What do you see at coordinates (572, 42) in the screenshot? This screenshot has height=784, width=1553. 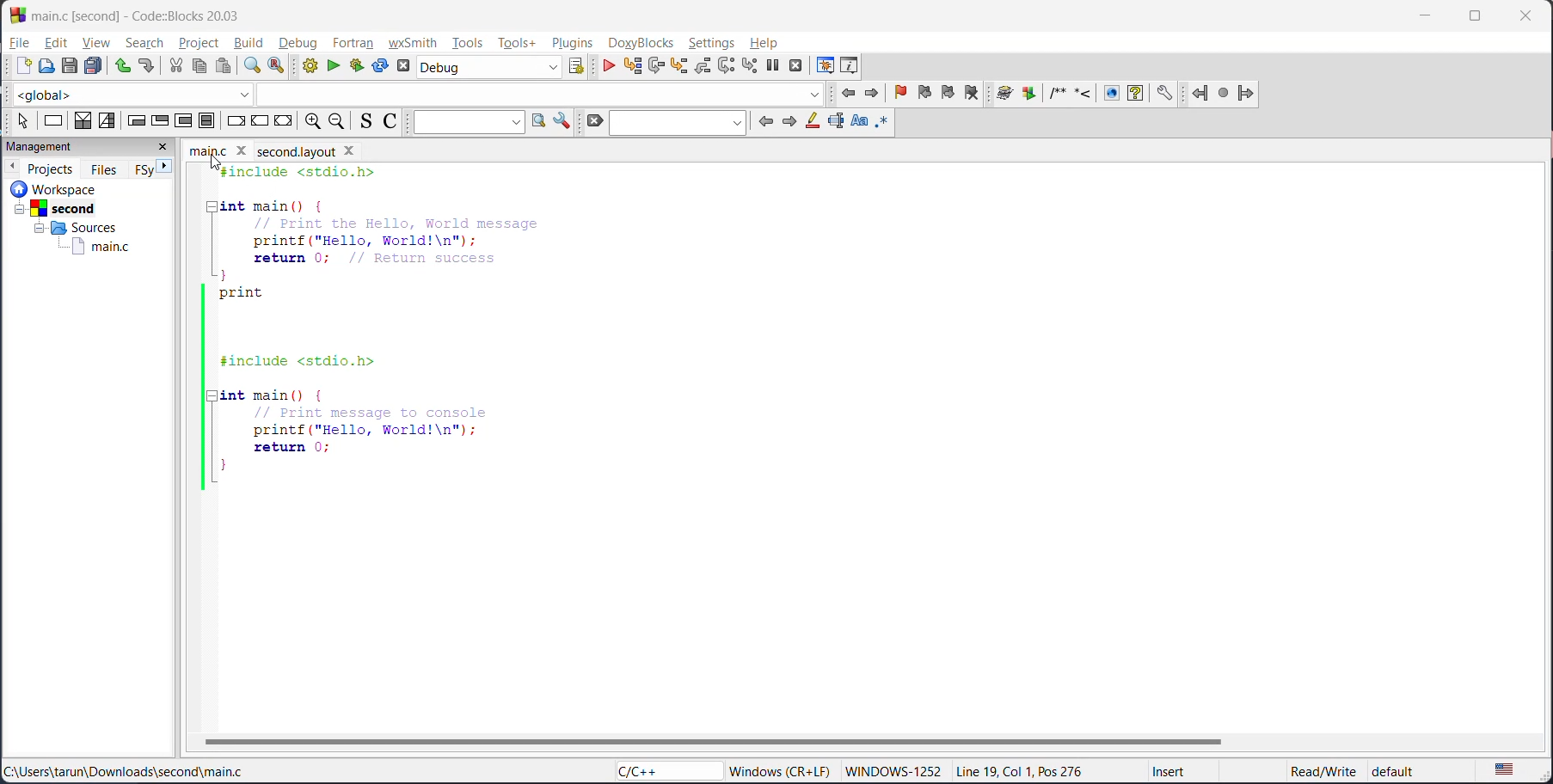 I see `plugins` at bounding box center [572, 42].